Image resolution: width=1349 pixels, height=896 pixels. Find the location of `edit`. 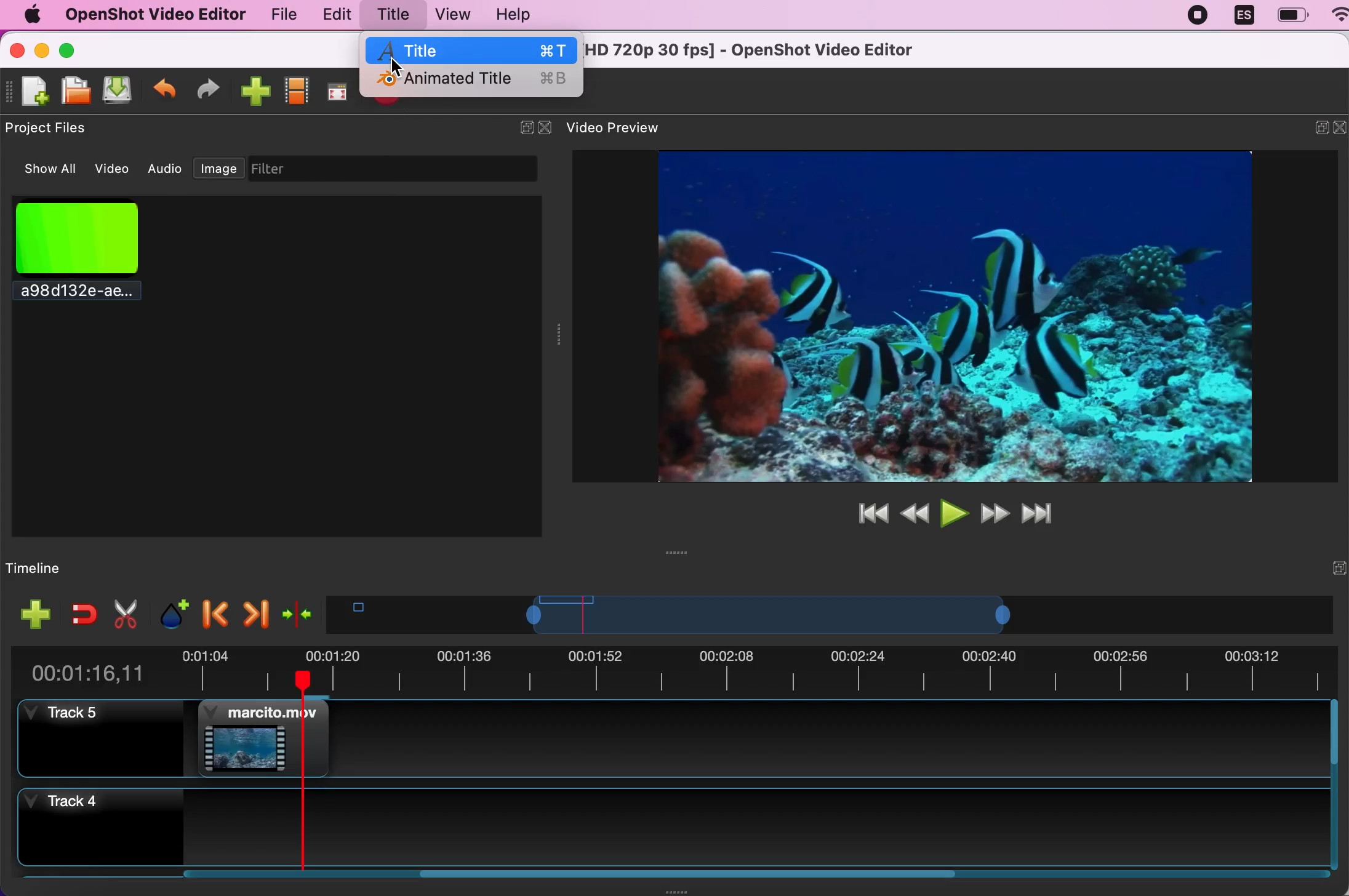

edit is located at coordinates (334, 15).